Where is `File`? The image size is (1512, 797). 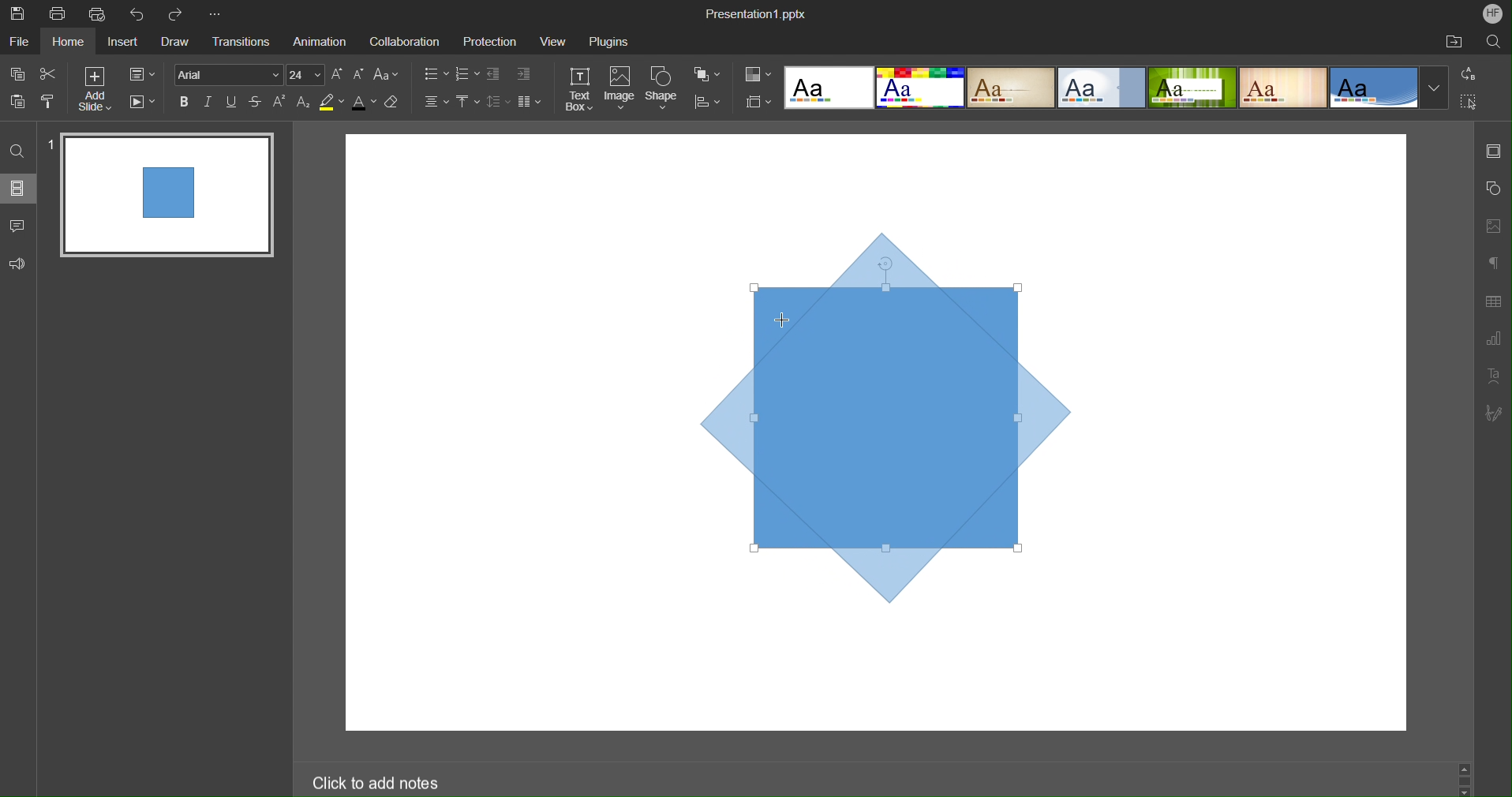 File is located at coordinates (20, 39).